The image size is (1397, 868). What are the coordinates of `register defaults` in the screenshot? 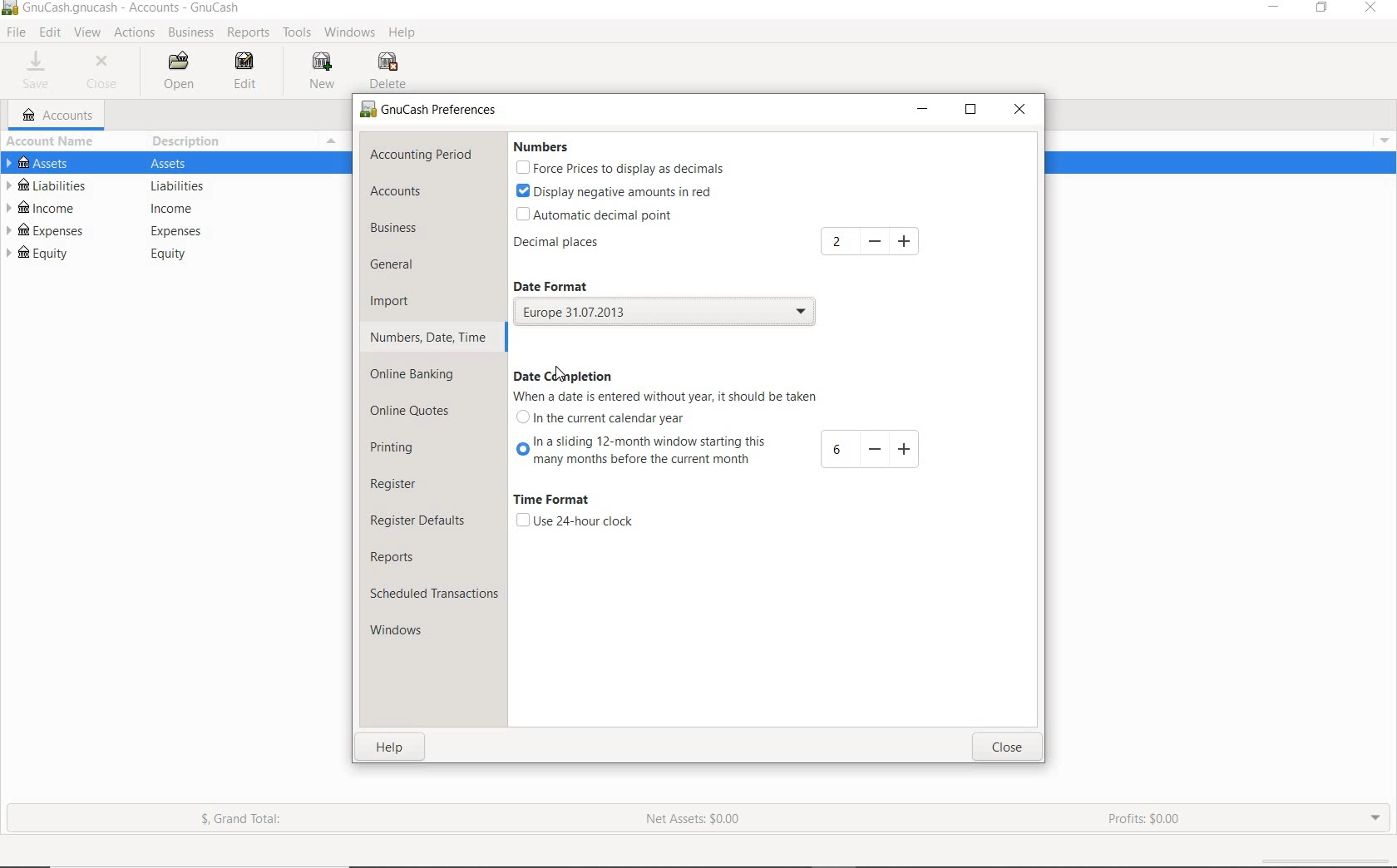 It's located at (420, 520).